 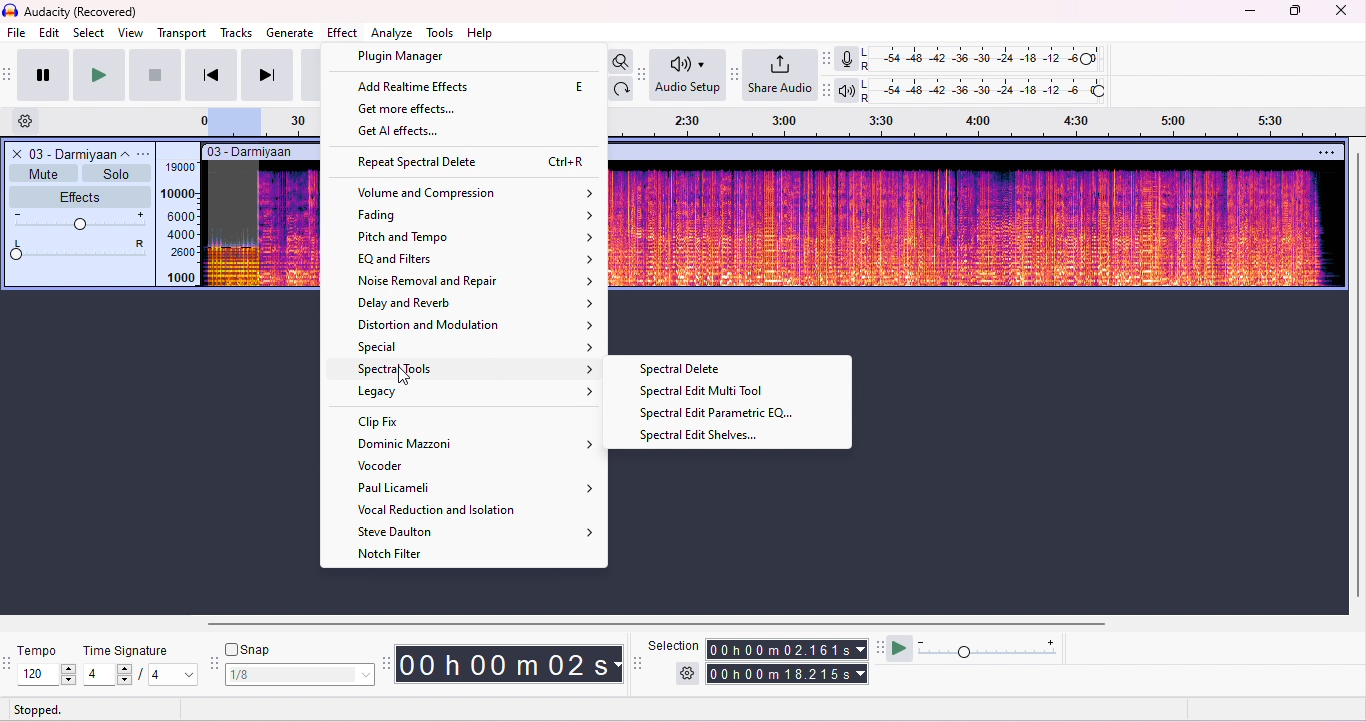 I want to click on noise removal and reoair, so click(x=477, y=281).